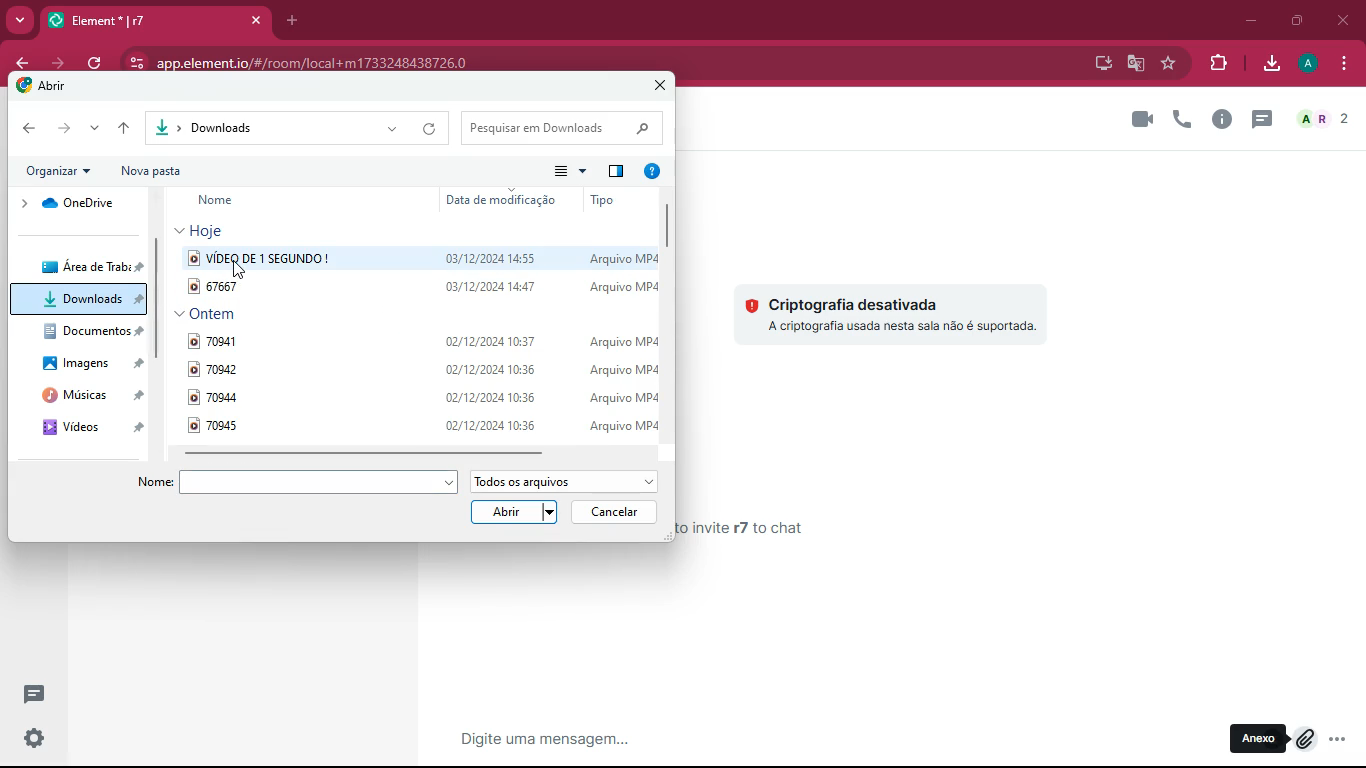 The image size is (1366, 768). Describe the element at coordinates (95, 265) in the screenshot. I see `area de trabu` at that location.